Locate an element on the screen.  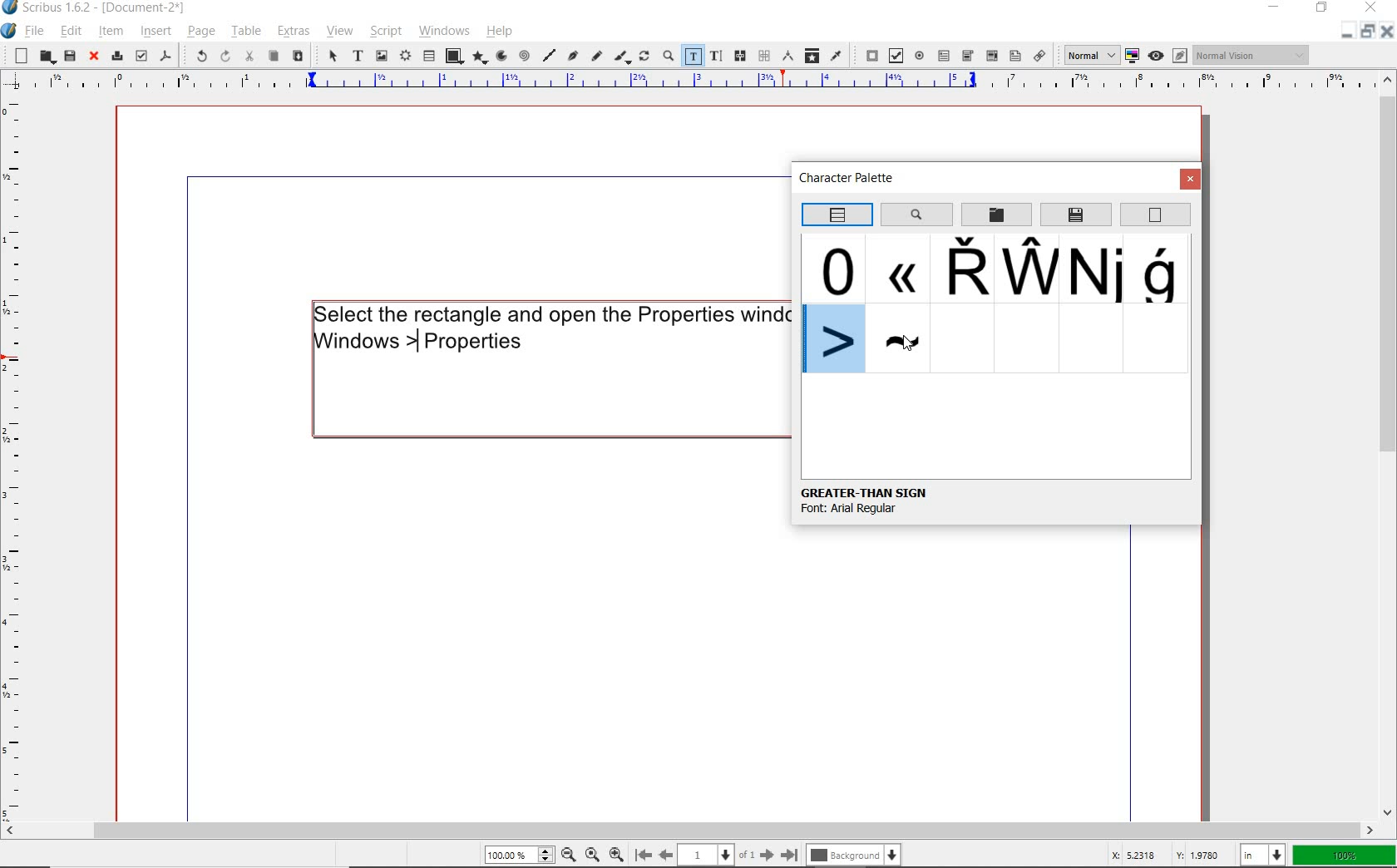
link annotation is located at coordinates (1040, 55).